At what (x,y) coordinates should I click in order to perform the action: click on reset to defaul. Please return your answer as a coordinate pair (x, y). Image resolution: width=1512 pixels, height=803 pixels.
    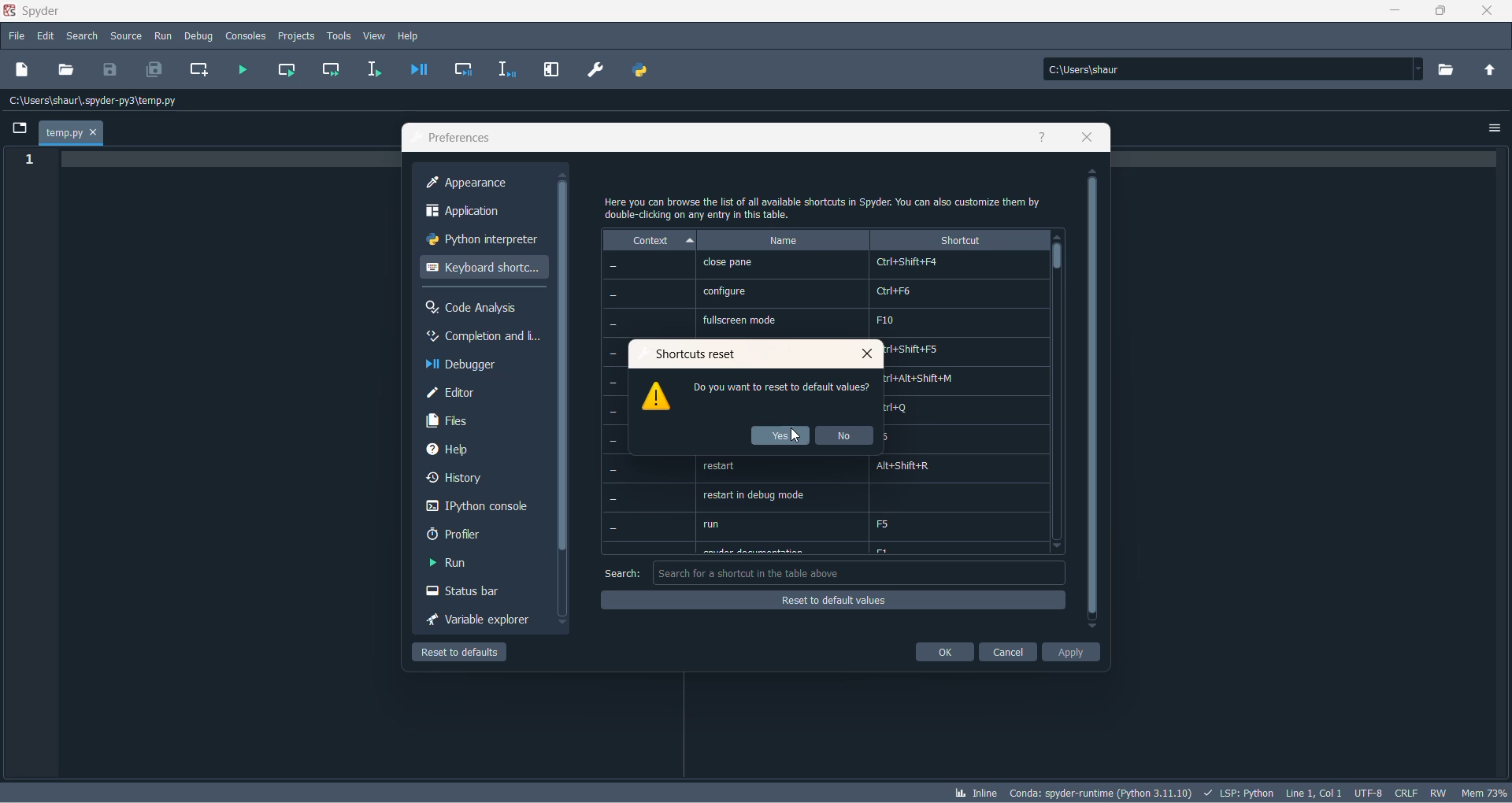
    Looking at the image, I should click on (458, 653).